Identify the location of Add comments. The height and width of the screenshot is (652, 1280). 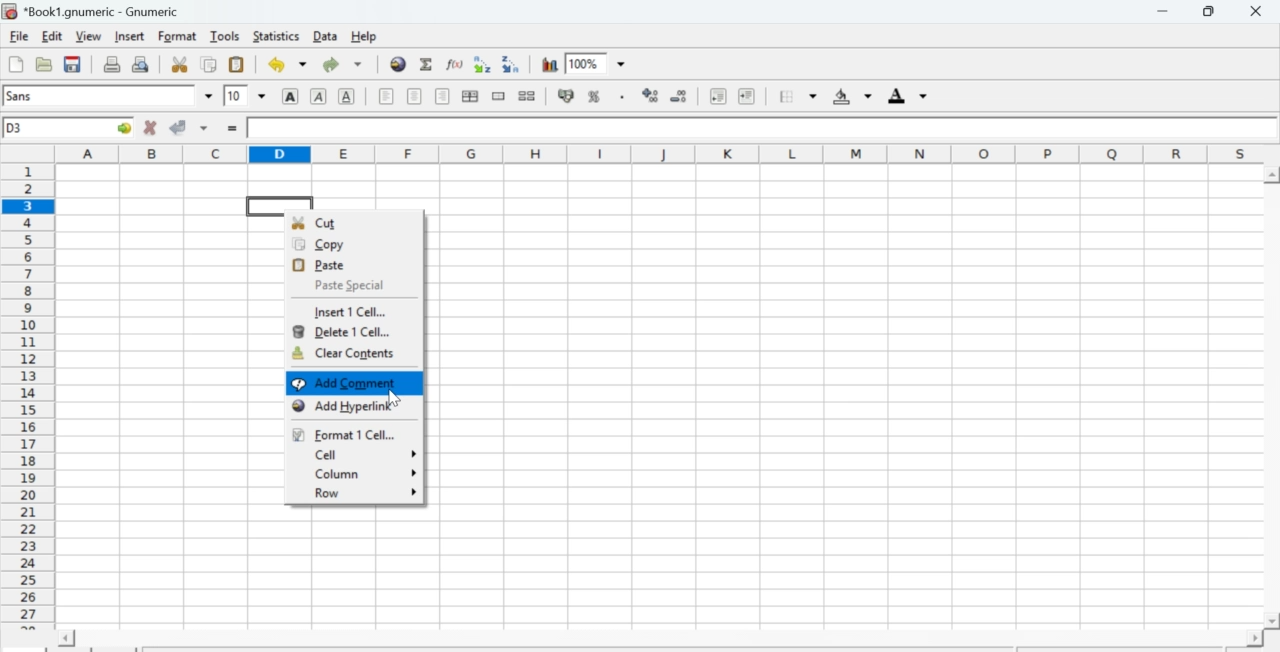
(353, 384).